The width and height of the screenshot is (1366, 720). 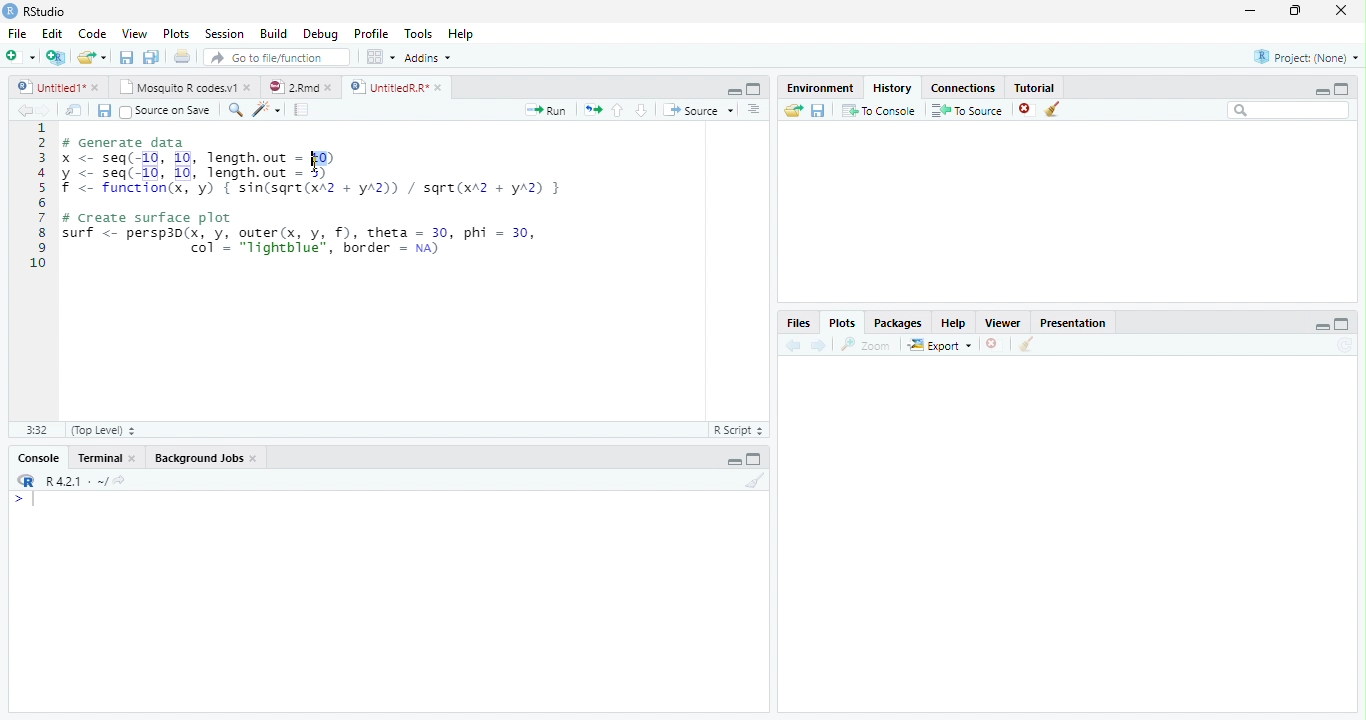 What do you see at coordinates (893, 87) in the screenshot?
I see `History` at bounding box center [893, 87].